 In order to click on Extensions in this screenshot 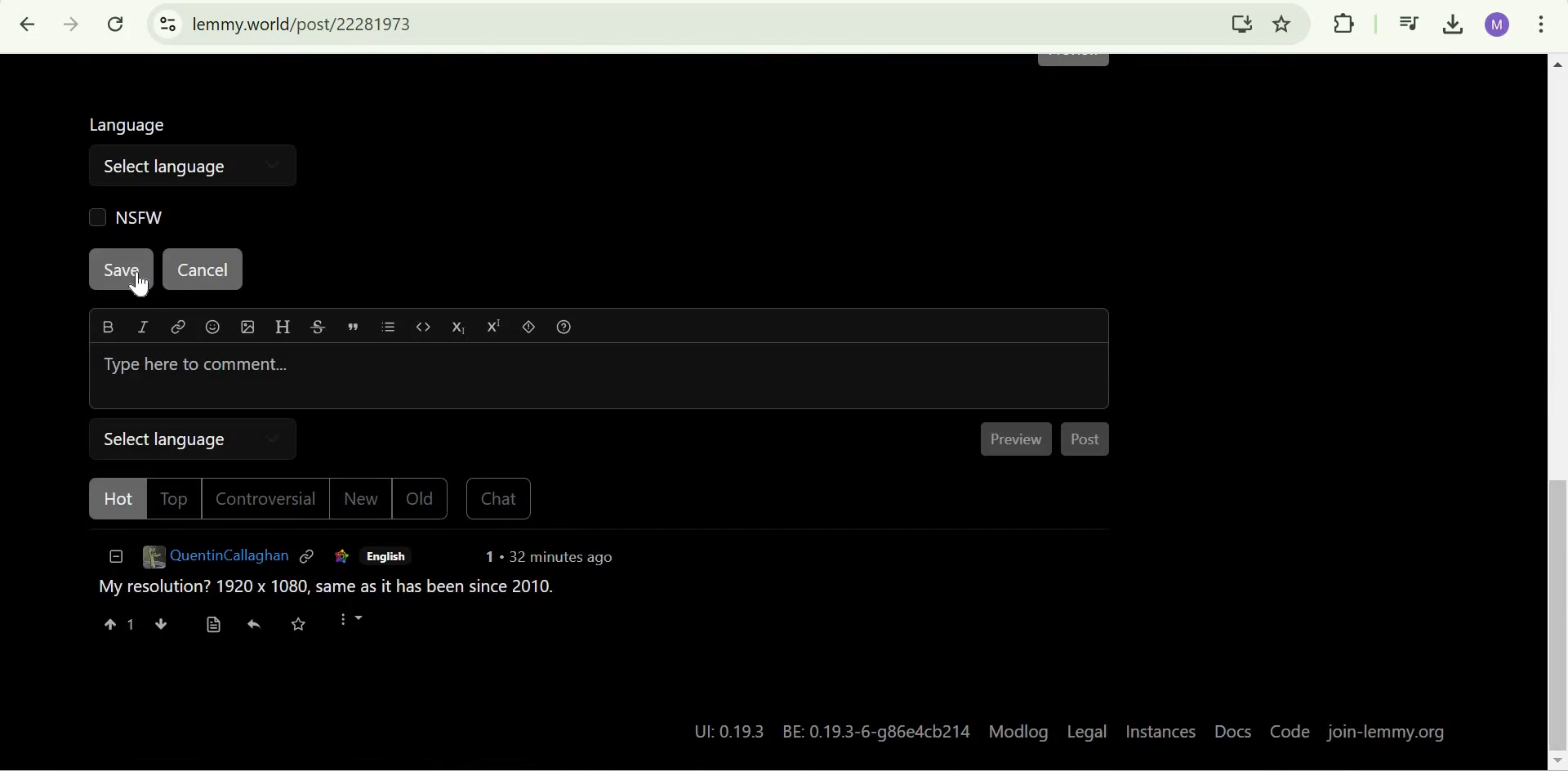, I will do `click(1343, 23)`.